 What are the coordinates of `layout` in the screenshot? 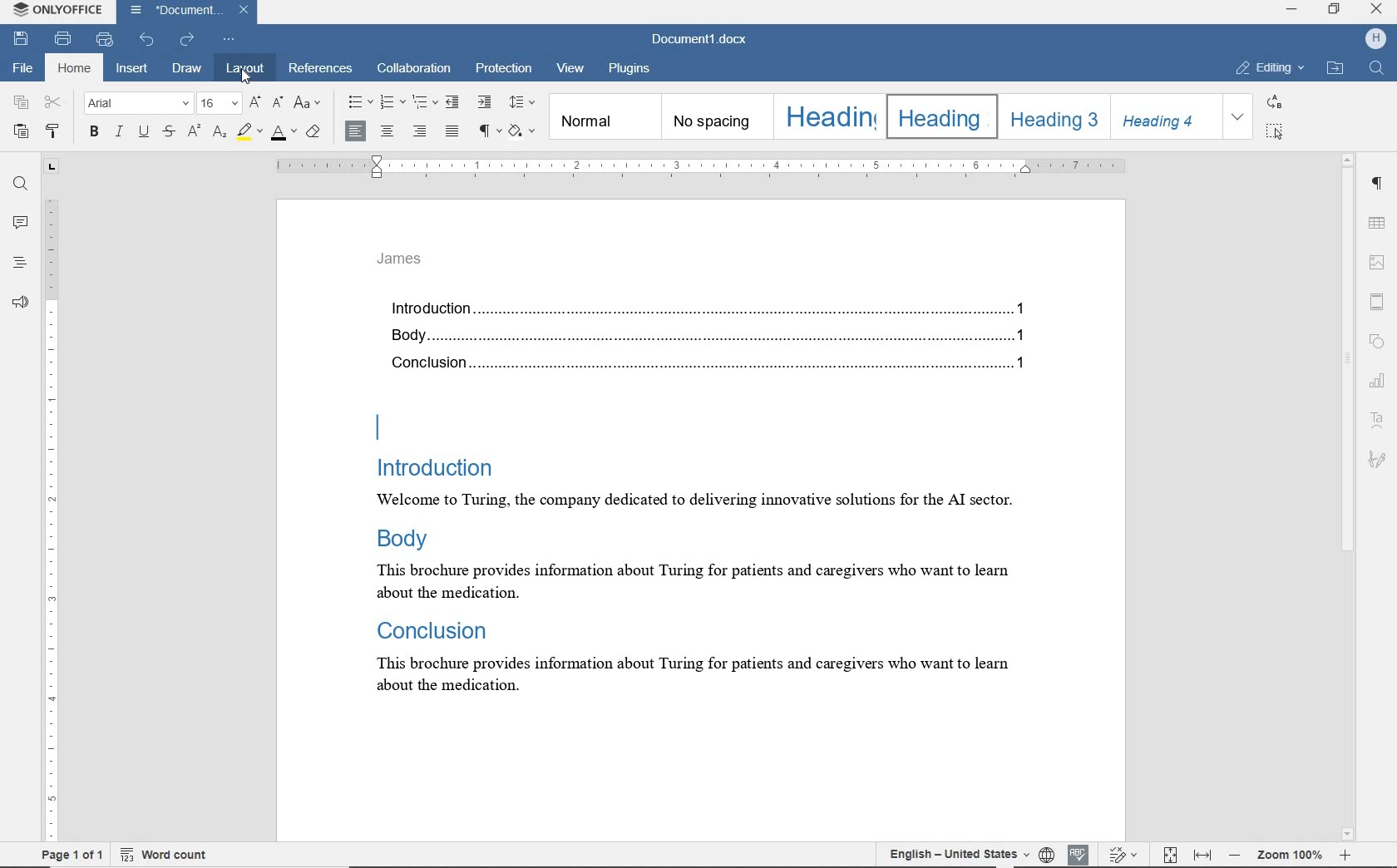 It's located at (241, 68).